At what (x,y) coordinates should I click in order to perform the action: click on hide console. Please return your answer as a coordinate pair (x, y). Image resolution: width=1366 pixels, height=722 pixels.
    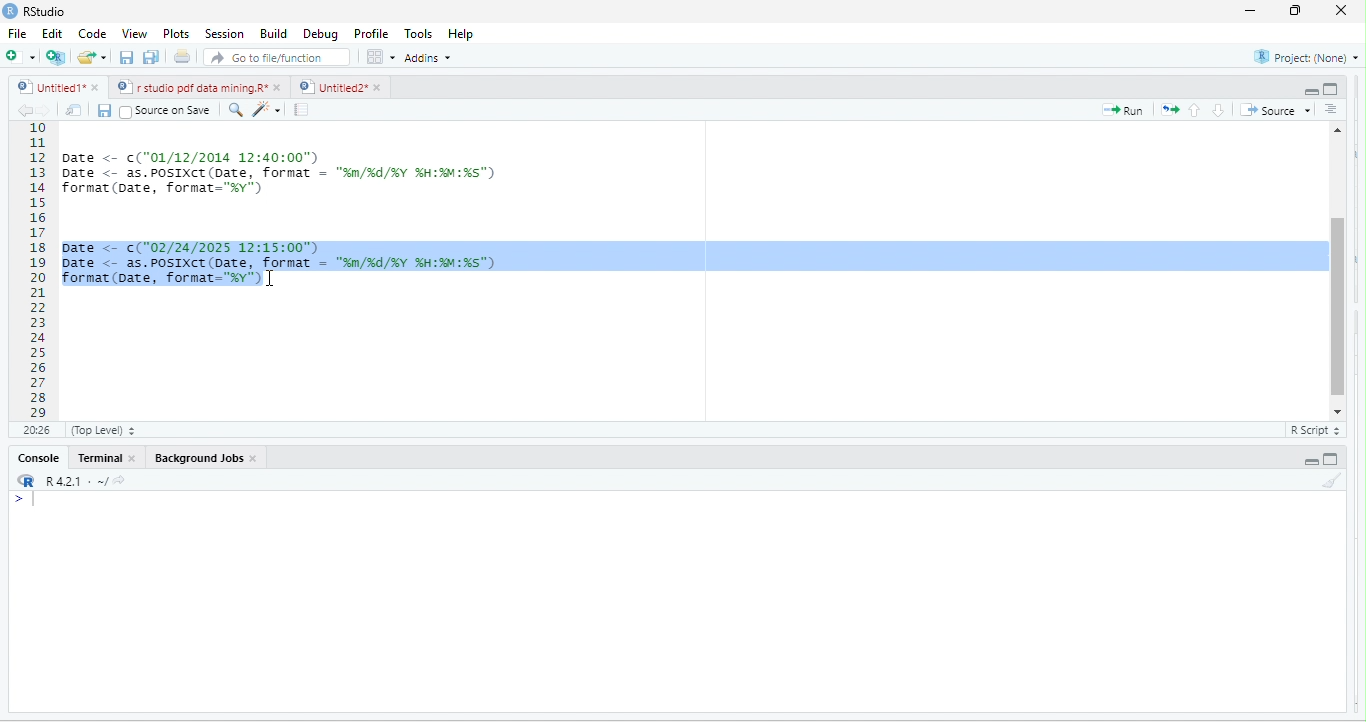
    Looking at the image, I should click on (1334, 458).